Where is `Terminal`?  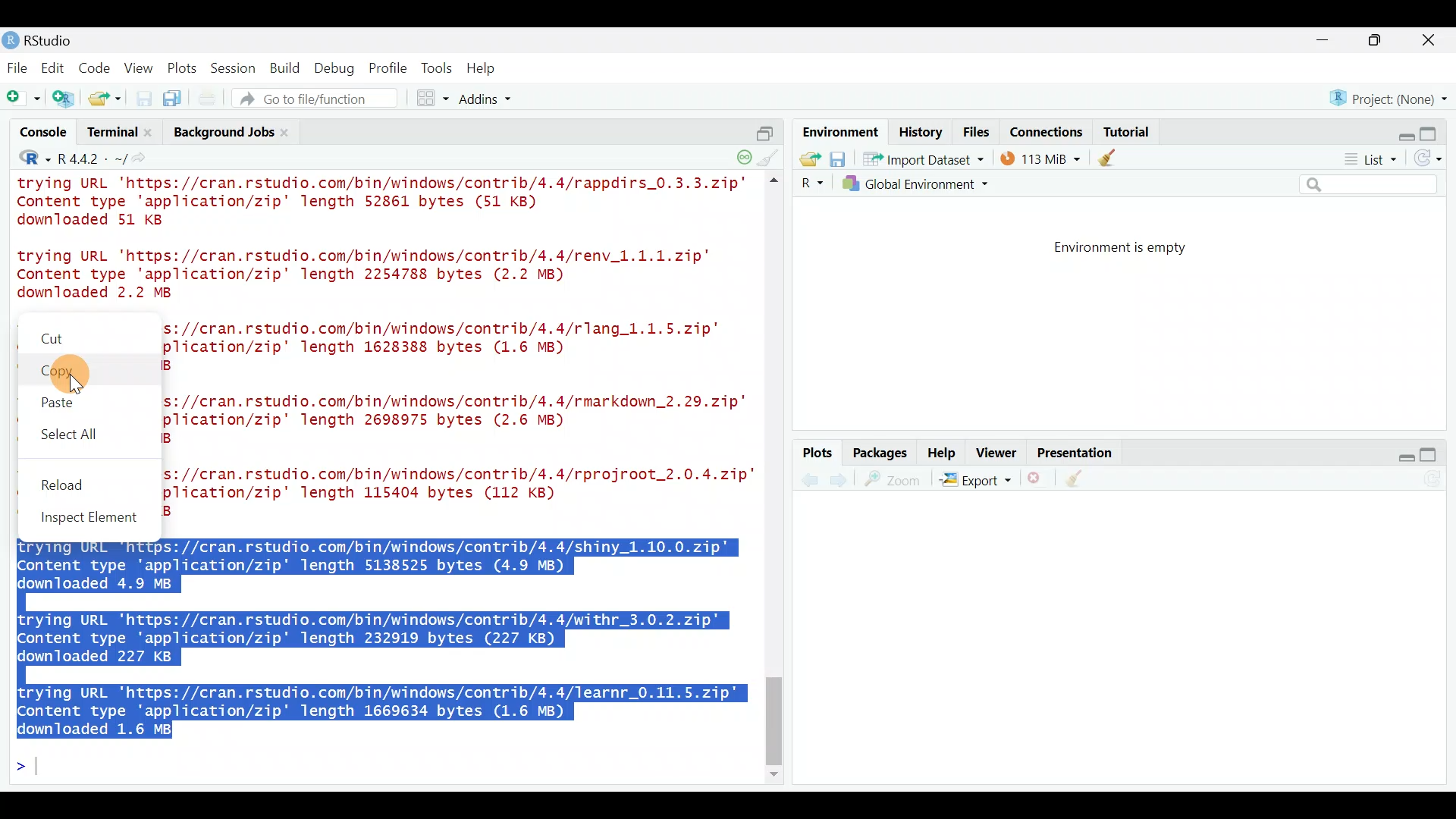 Terminal is located at coordinates (111, 134).